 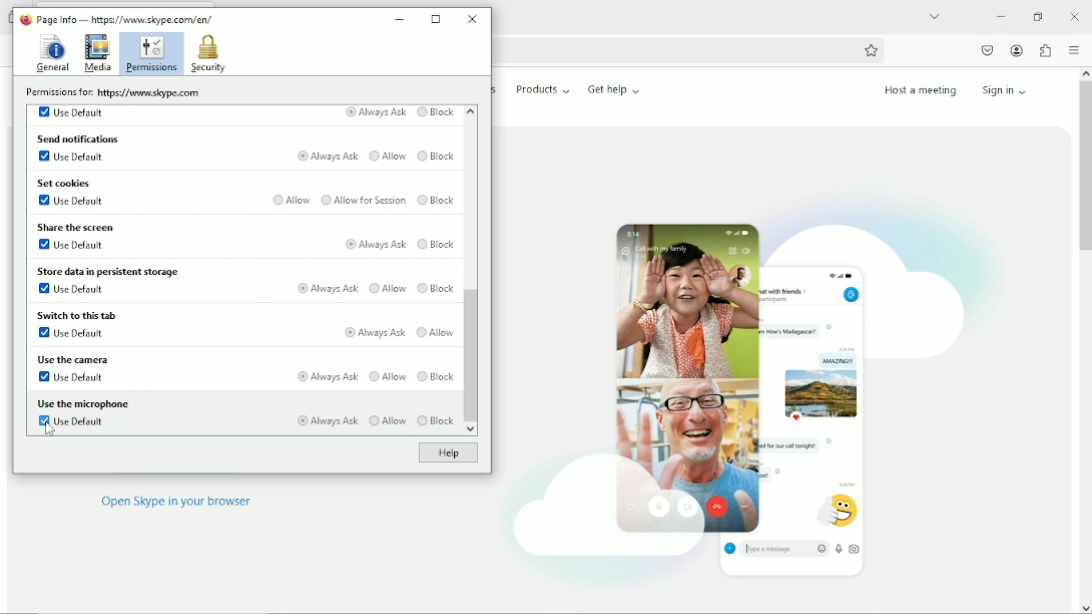 What do you see at coordinates (1045, 50) in the screenshot?
I see `Extensions` at bounding box center [1045, 50].